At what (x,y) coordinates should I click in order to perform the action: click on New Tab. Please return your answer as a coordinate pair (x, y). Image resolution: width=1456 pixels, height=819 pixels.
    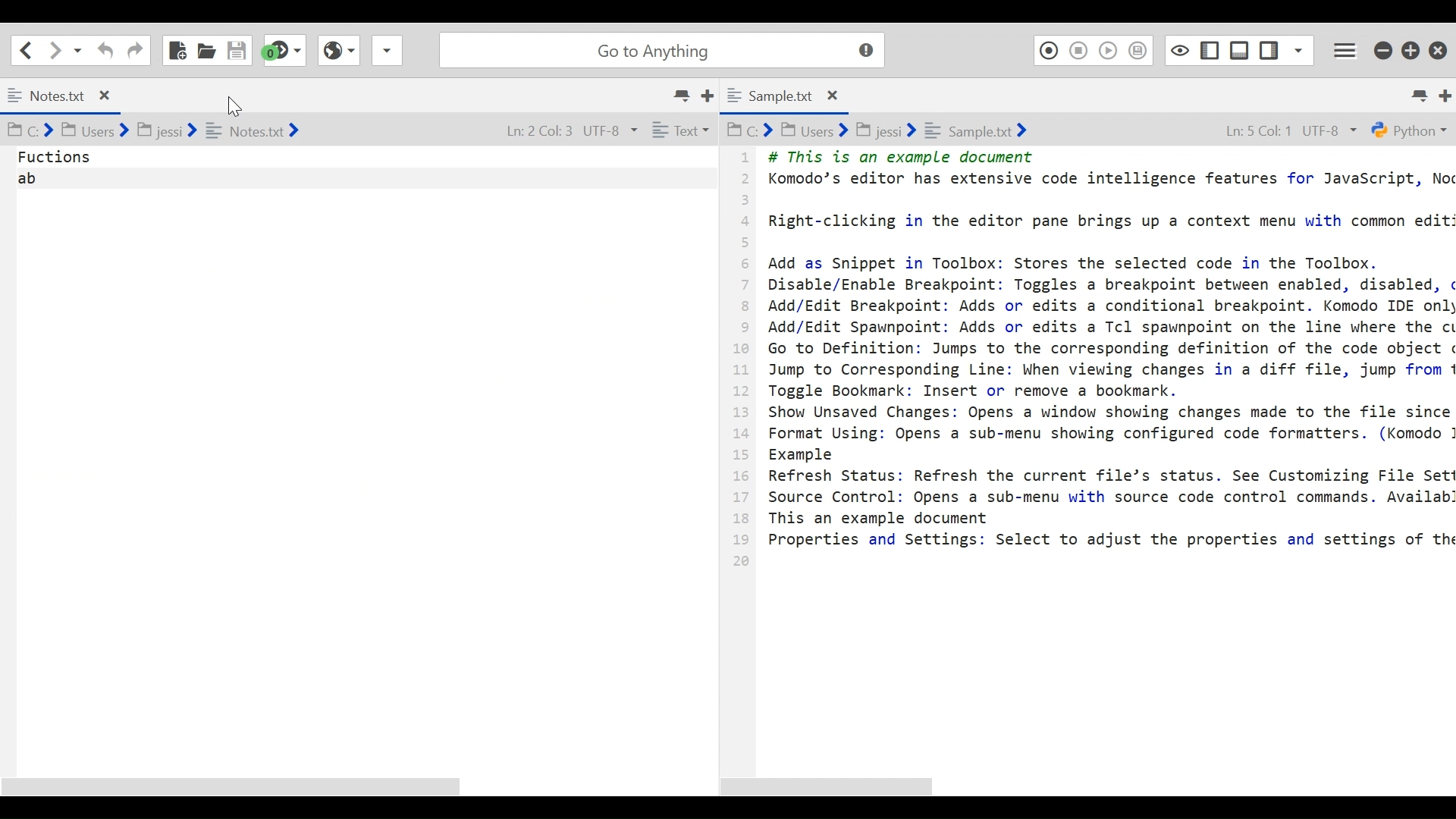
    Looking at the image, I should click on (714, 97).